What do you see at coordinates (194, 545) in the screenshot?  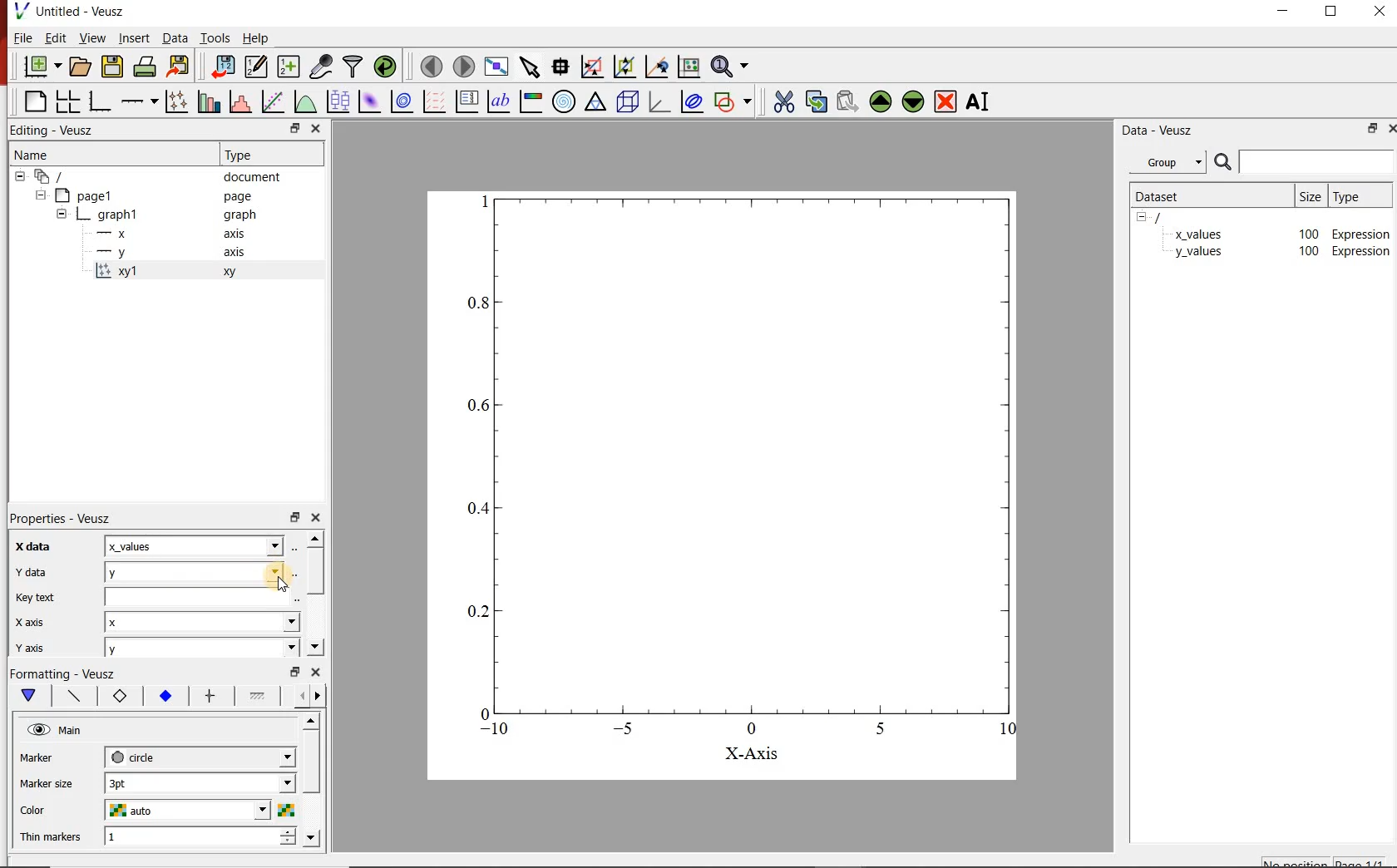 I see `x_values` at bounding box center [194, 545].